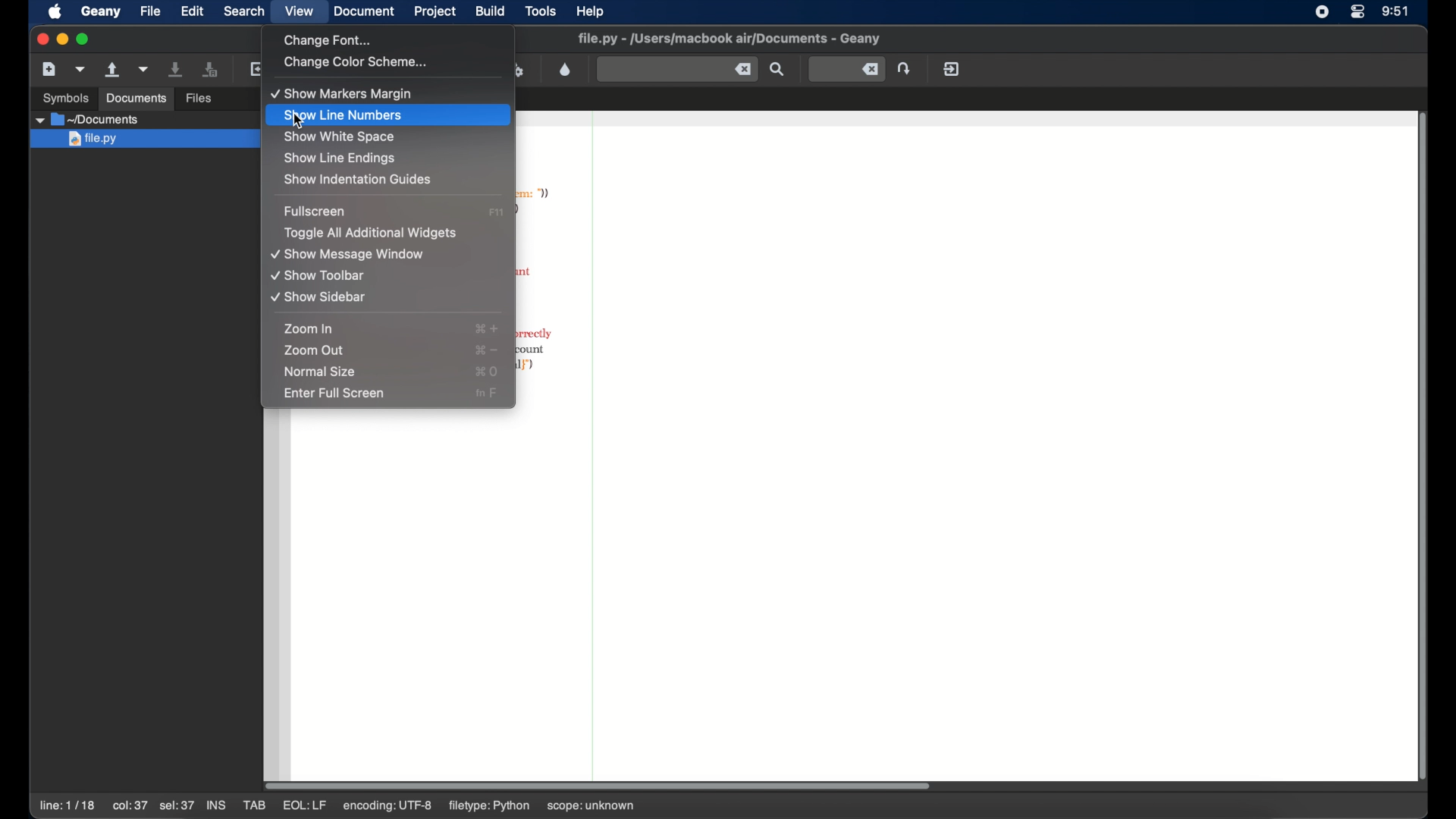 The image size is (1456, 819). I want to click on full screen shortcut, so click(488, 393).